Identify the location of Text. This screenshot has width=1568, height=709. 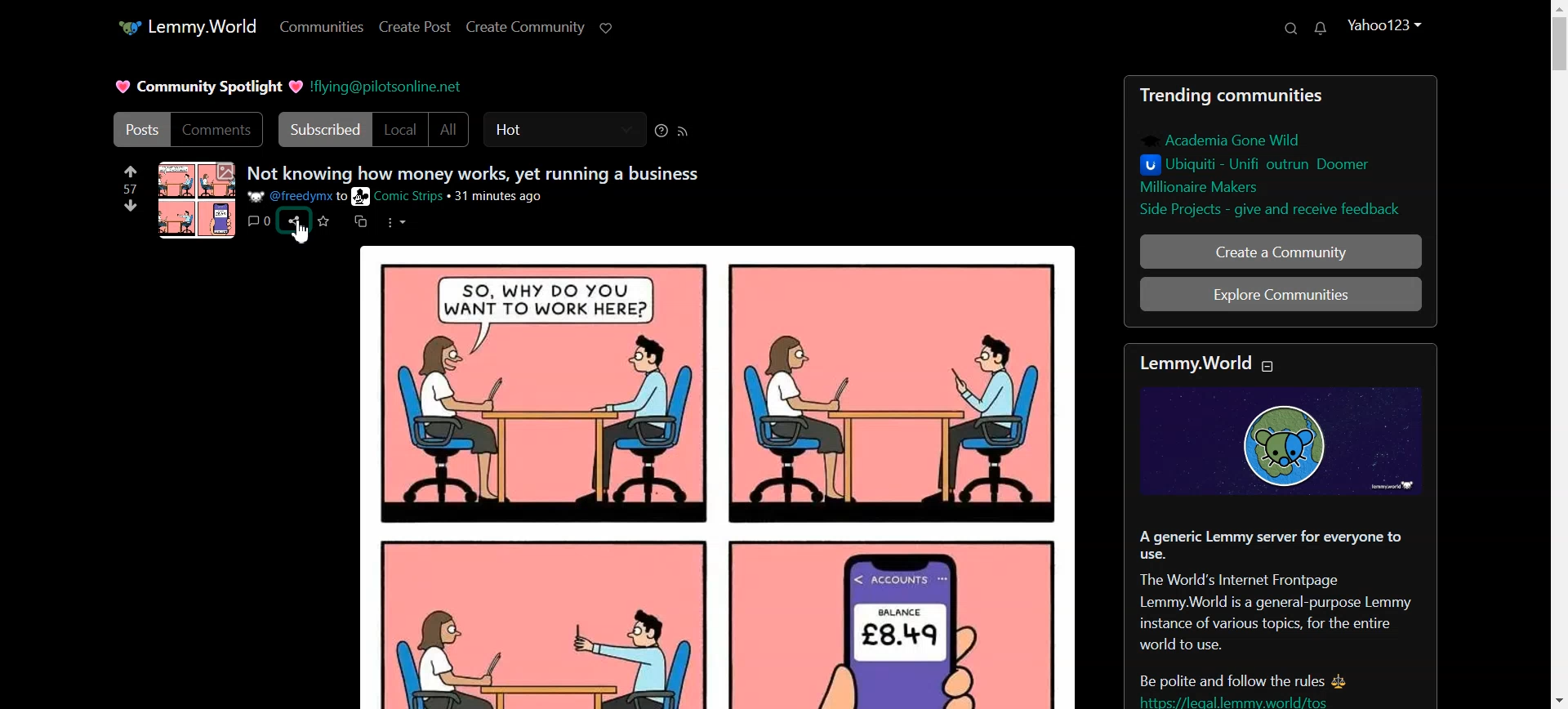
(1281, 550).